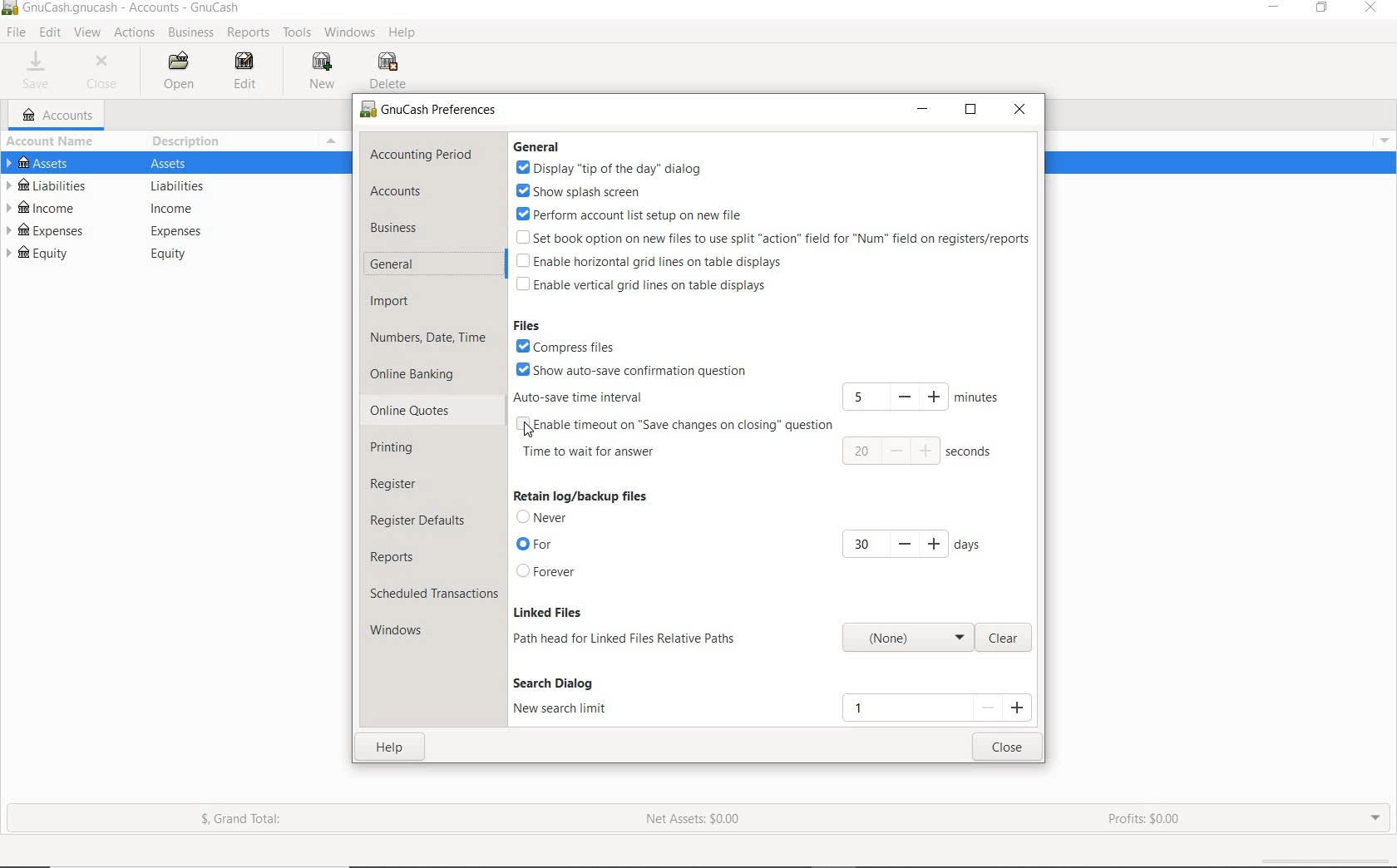 Image resolution: width=1397 pixels, height=868 pixels. What do you see at coordinates (403, 34) in the screenshot?
I see `HELP` at bounding box center [403, 34].